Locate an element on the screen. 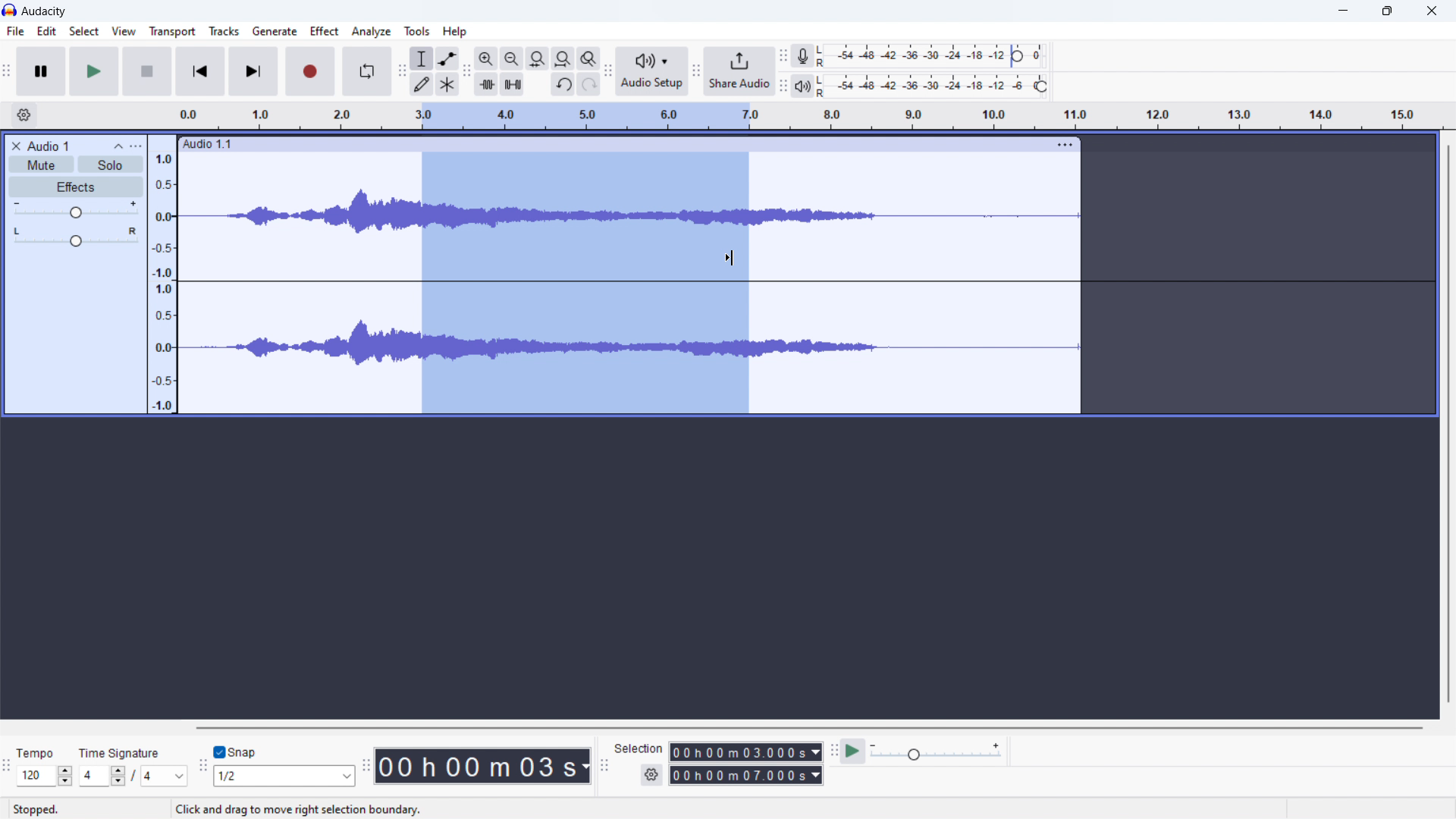 The height and width of the screenshot is (819, 1456). trim audio outside selection is located at coordinates (488, 84).